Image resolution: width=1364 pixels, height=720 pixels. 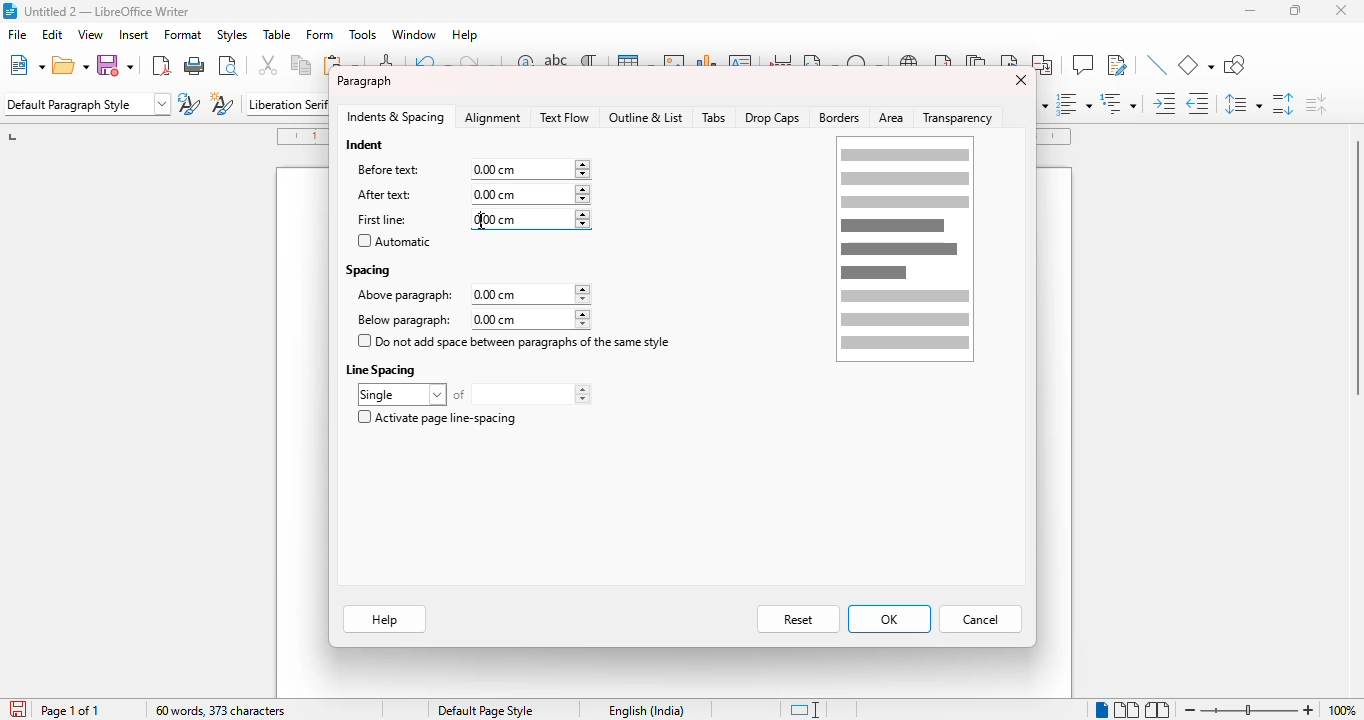 I want to click on spacing, so click(x=369, y=269).